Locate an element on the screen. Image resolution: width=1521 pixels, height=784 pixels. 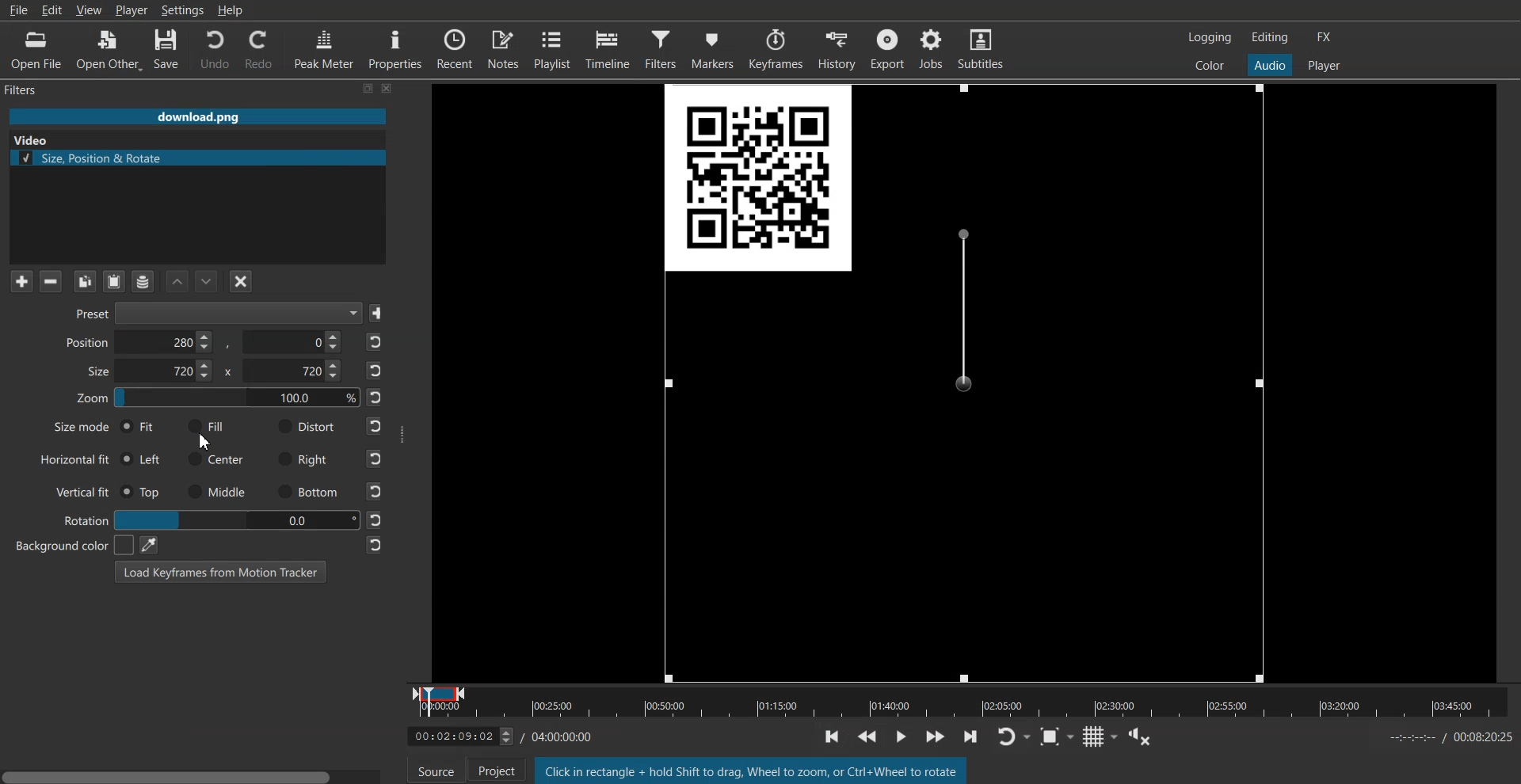
Bottom is located at coordinates (307, 493).